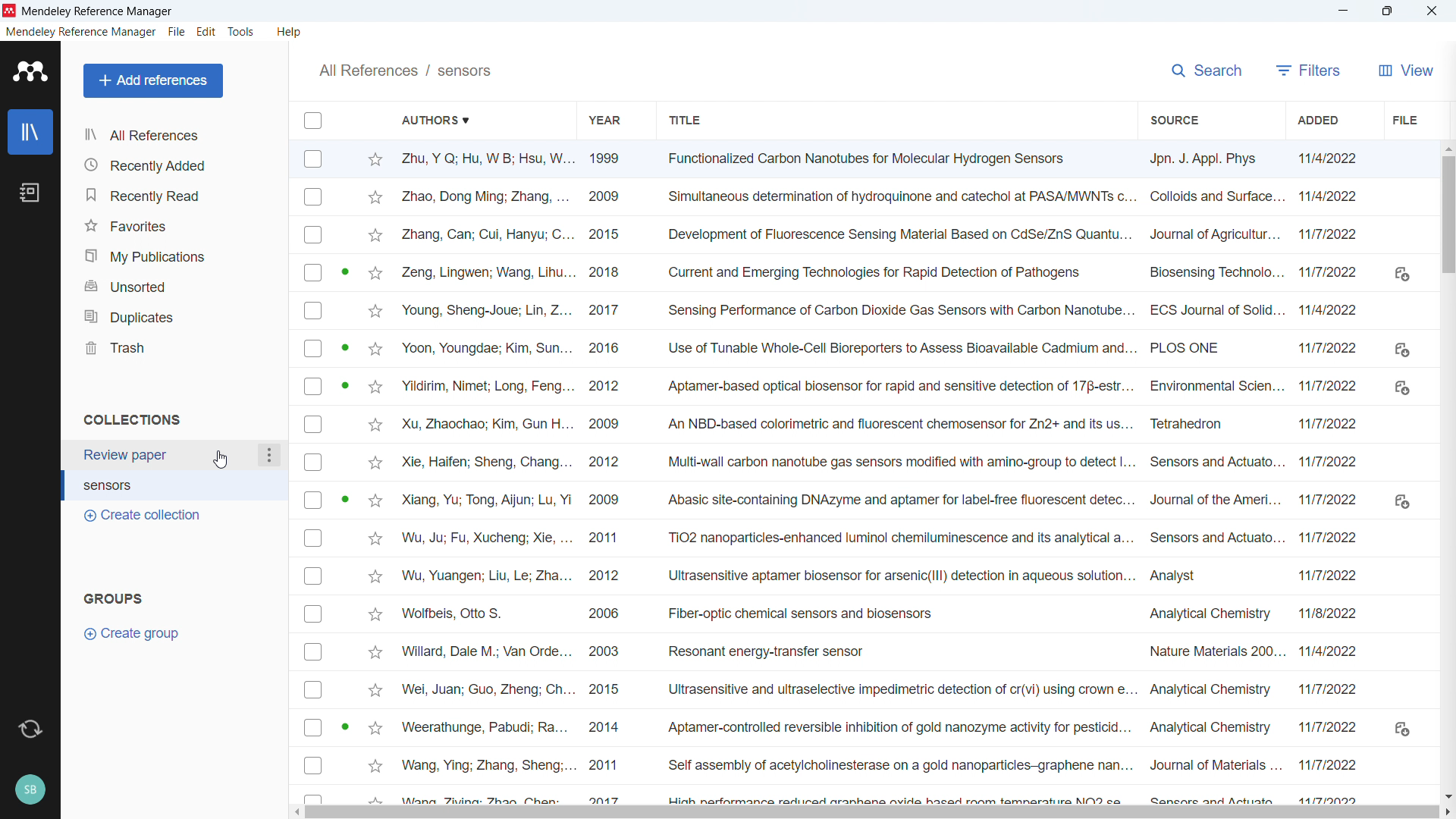 The image size is (1456, 819). What do you see at coordinates (30, 71) in the screenshot?
I see `Logo ` at bounding box center [30, 71].